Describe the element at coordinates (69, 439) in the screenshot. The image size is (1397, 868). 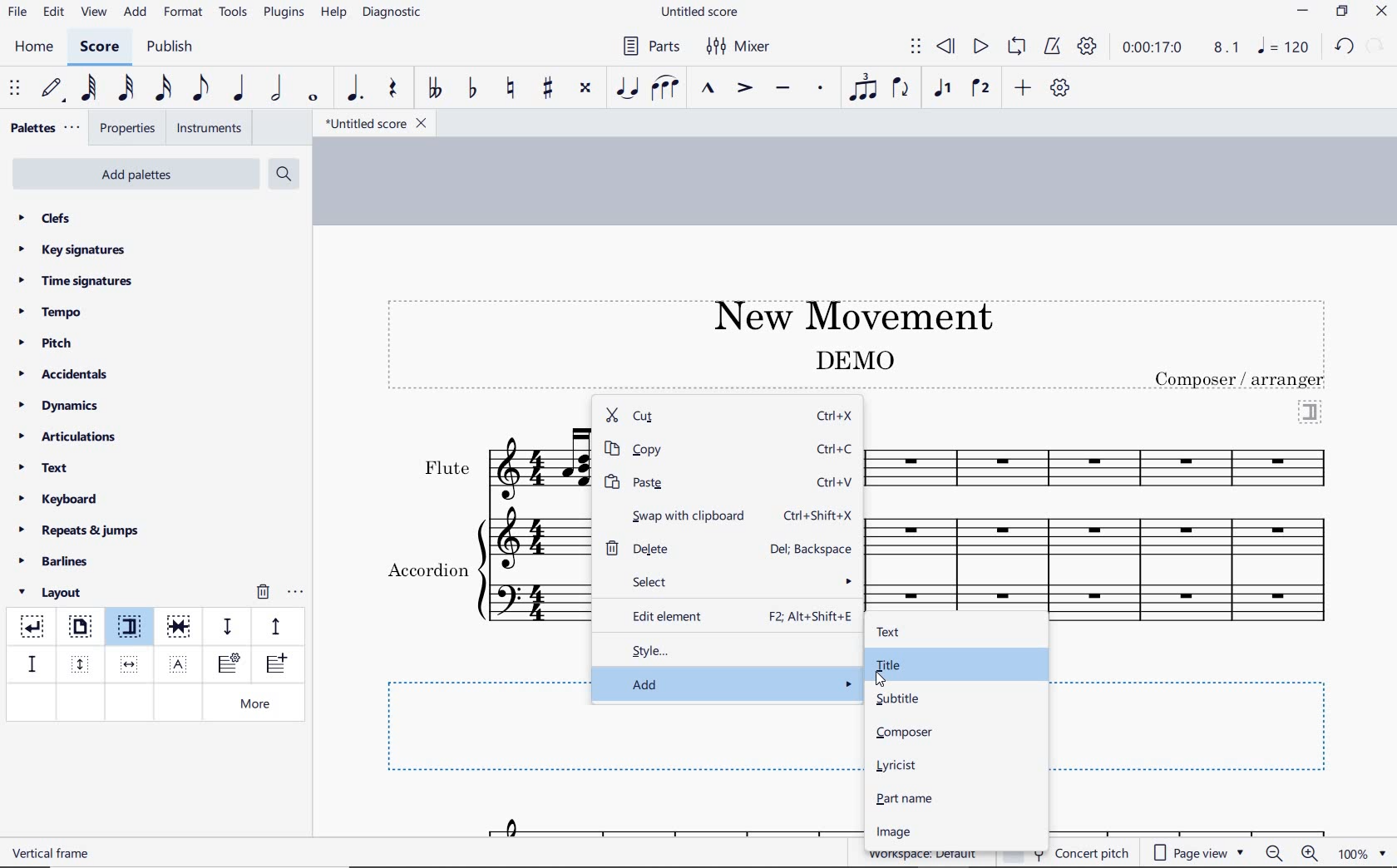
I see `articulations` at that location.